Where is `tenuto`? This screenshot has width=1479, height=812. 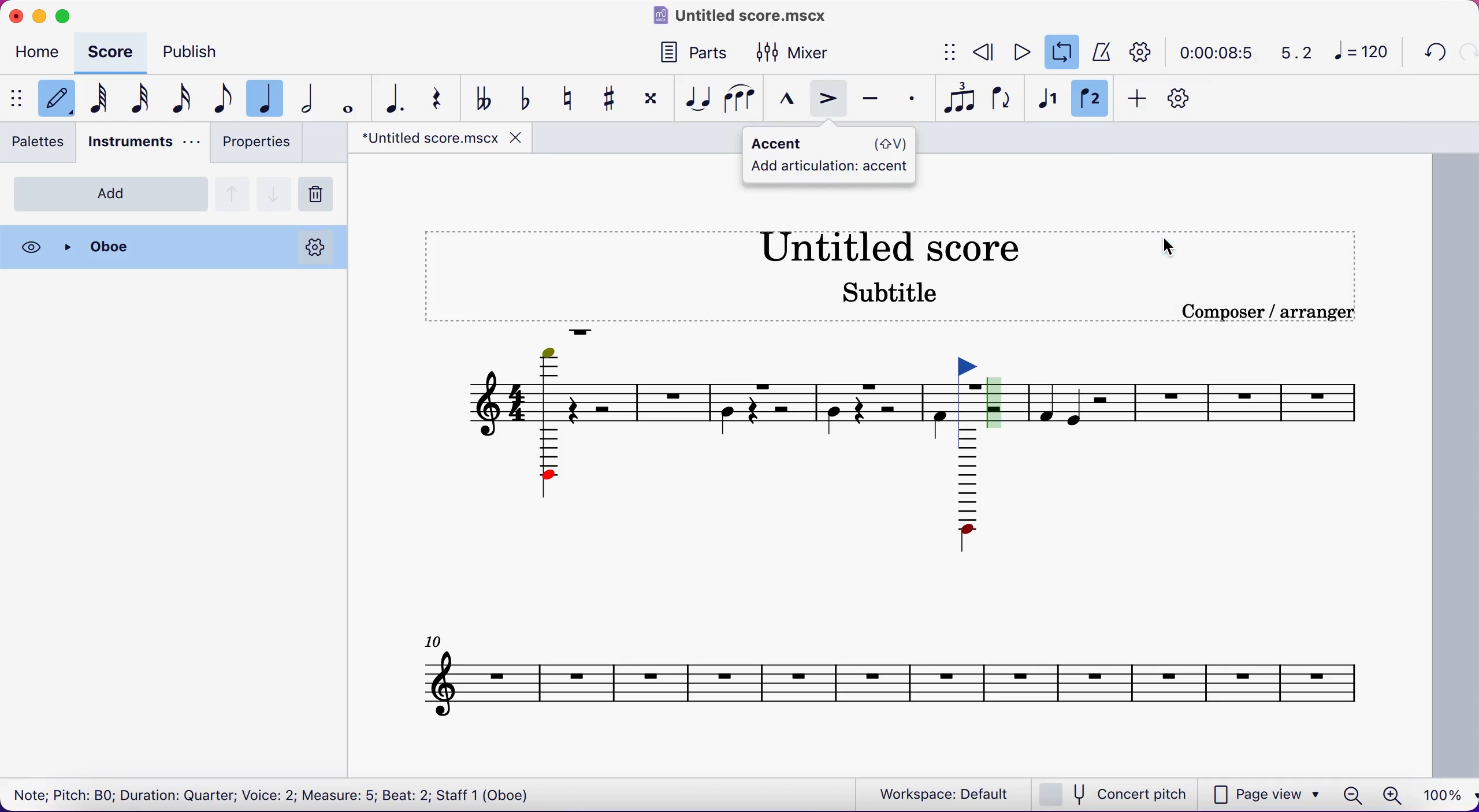 tenuto is located at coordinates (875, 101).